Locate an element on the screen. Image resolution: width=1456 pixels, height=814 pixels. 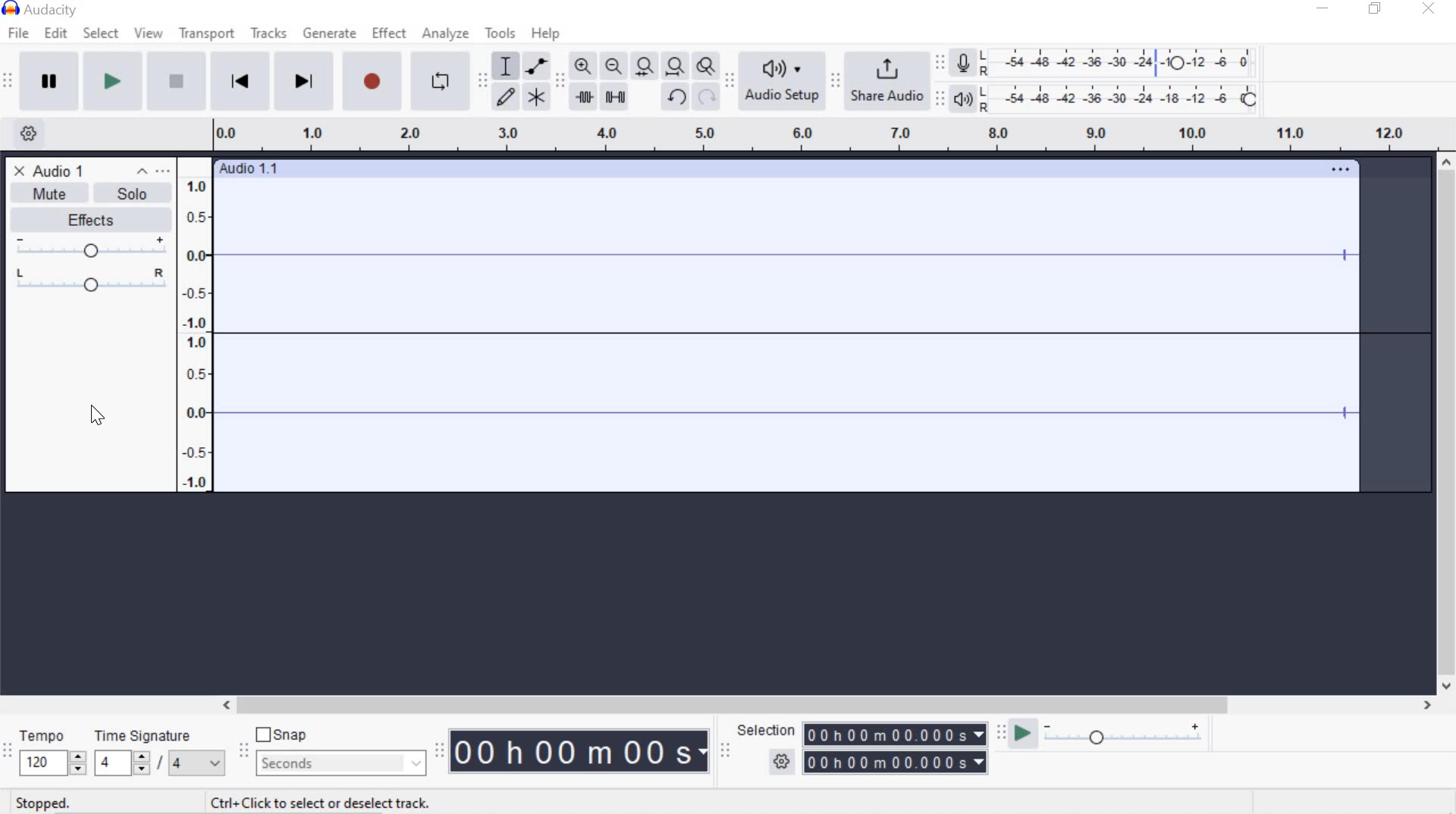
undo is located at coordinates (676, 96).